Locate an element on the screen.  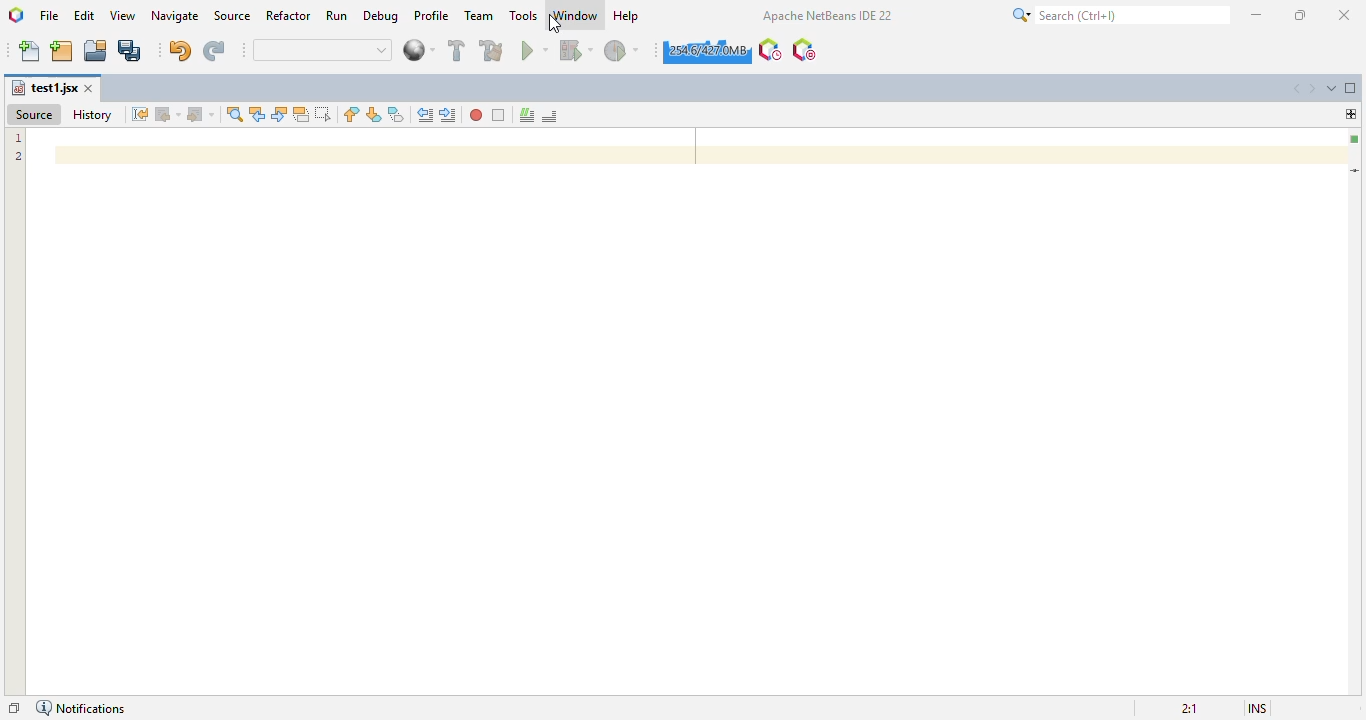
save all is located at coordinates (130, 51).